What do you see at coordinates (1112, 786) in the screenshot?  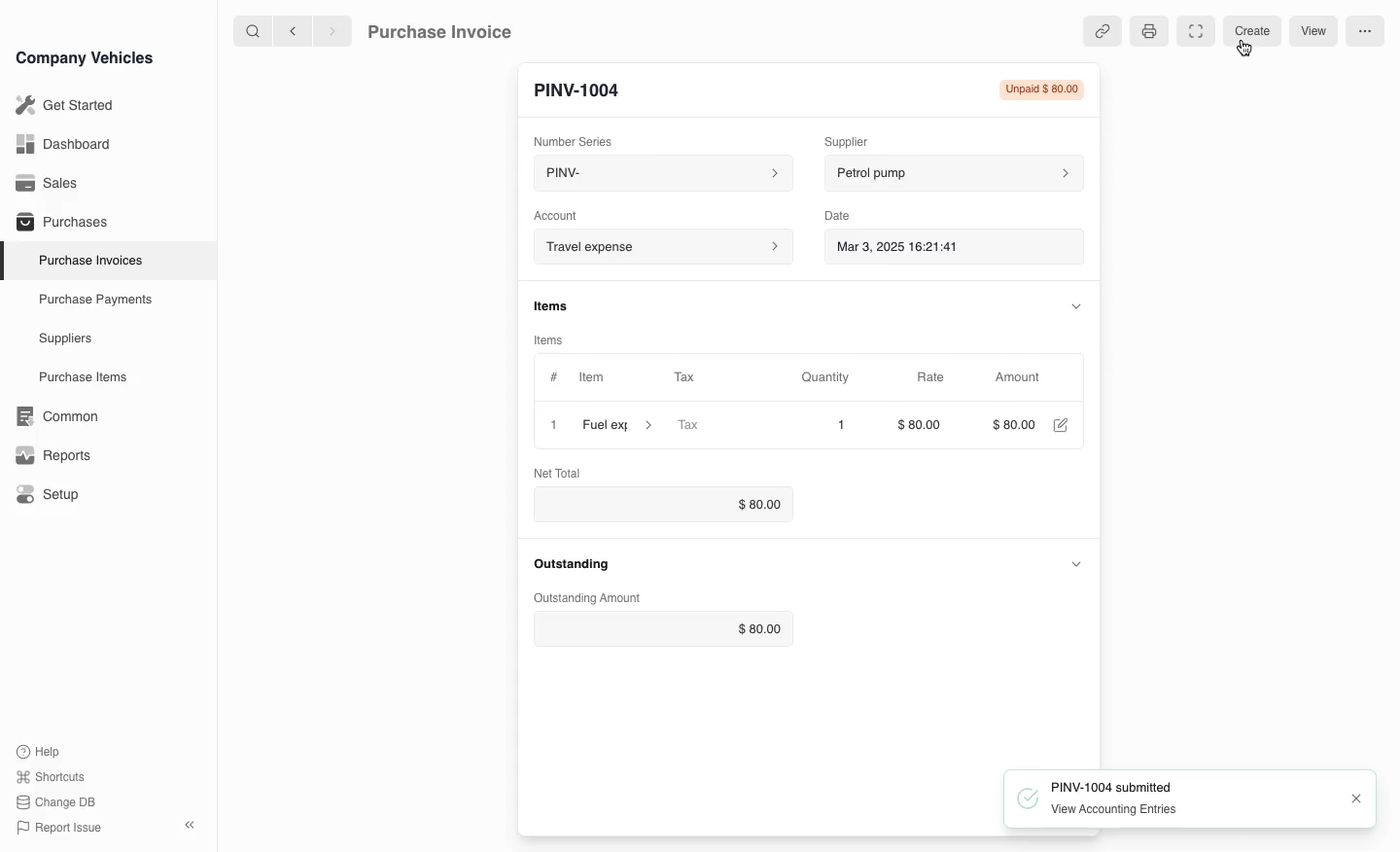 I see `PINV-1004 submitted` at bounding box center [1112, 786].